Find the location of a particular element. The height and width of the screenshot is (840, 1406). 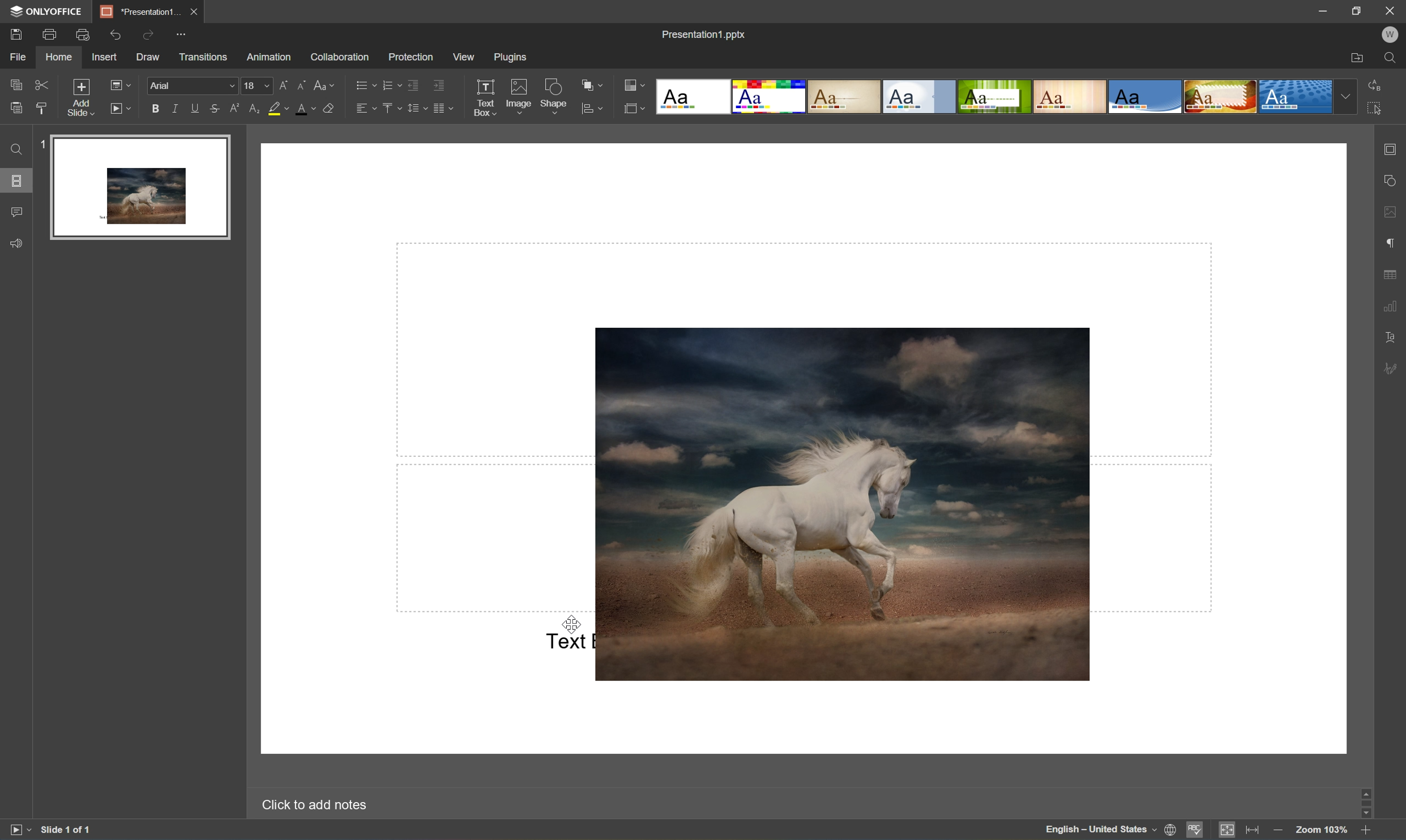

Arial is located at coordinates (189, 87).